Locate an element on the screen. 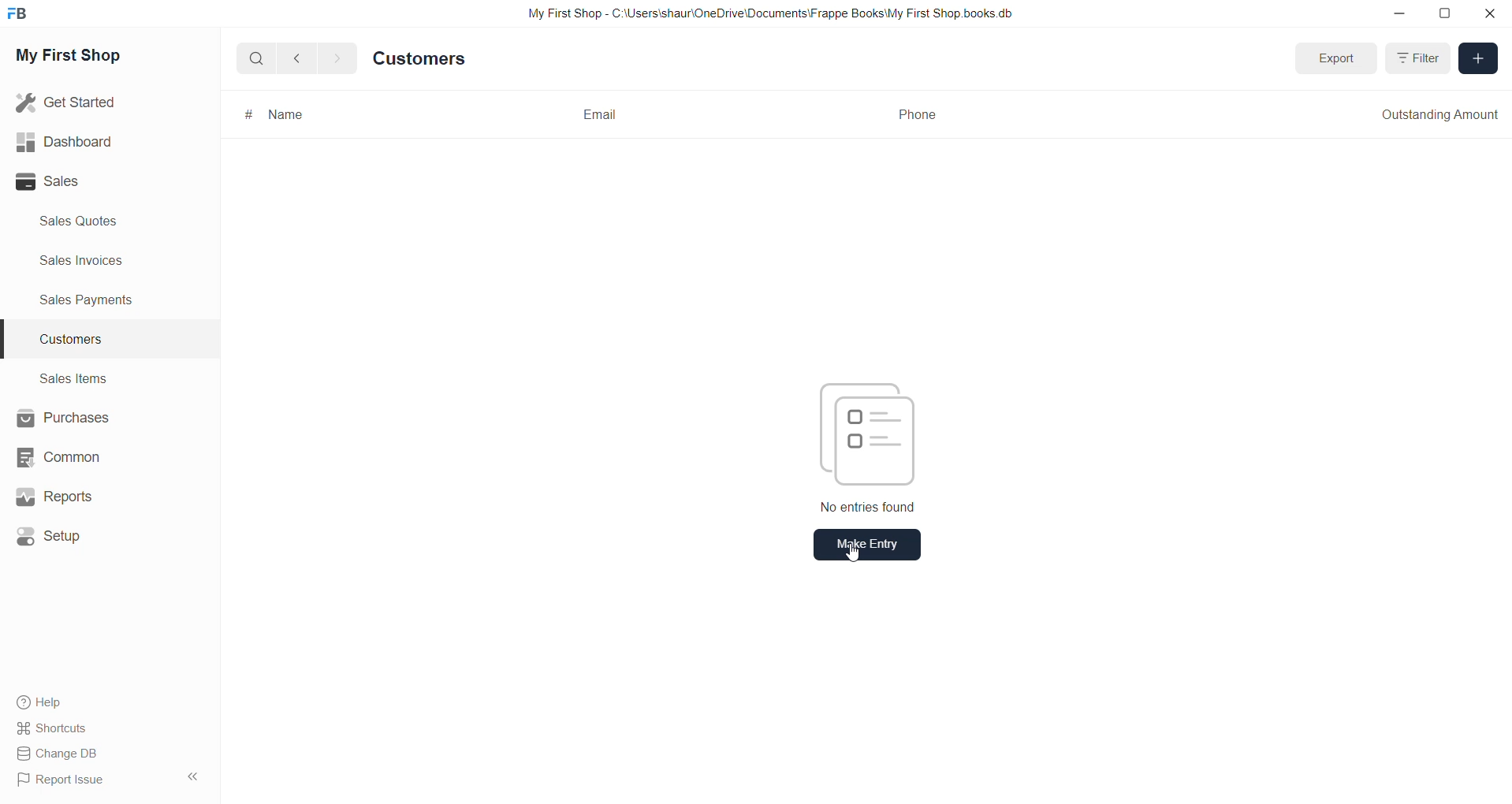 The height and width of the screenshot is (804, 1512). cursor is located at coordinates (855, 557).